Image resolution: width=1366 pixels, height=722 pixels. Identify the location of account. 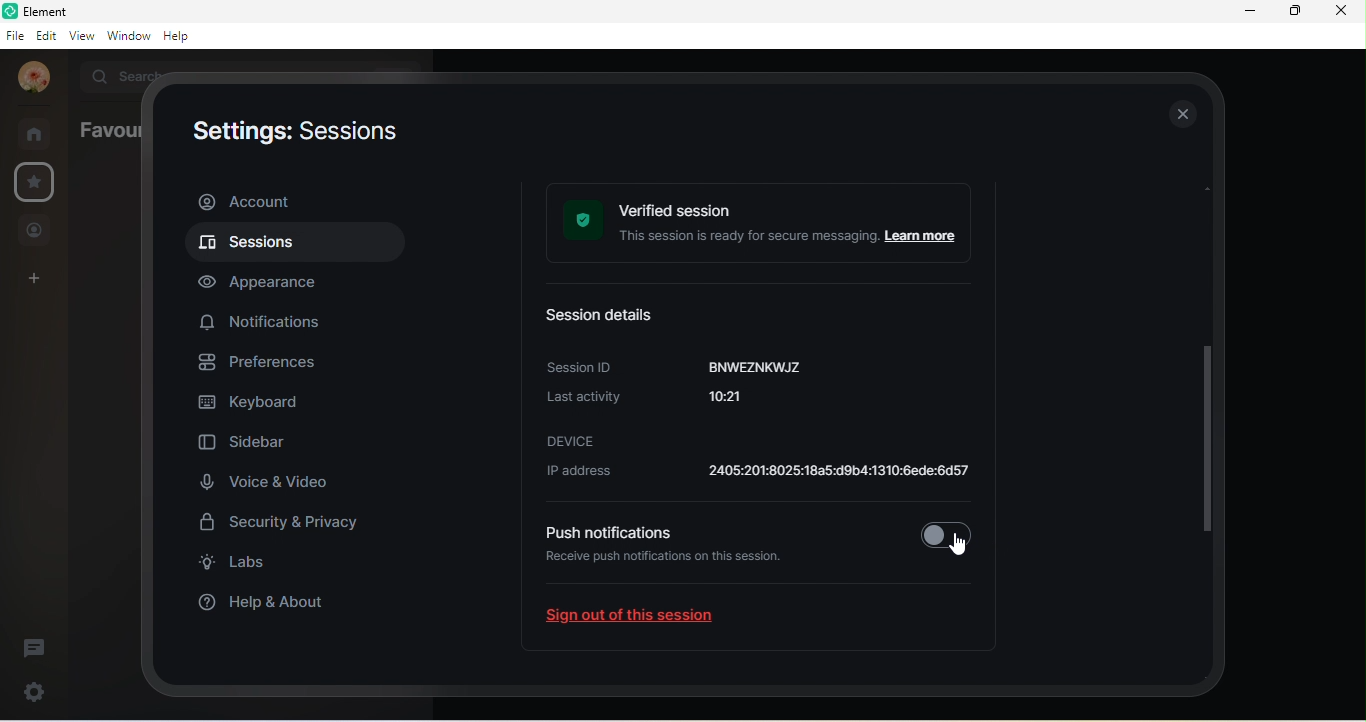
(293, 201).